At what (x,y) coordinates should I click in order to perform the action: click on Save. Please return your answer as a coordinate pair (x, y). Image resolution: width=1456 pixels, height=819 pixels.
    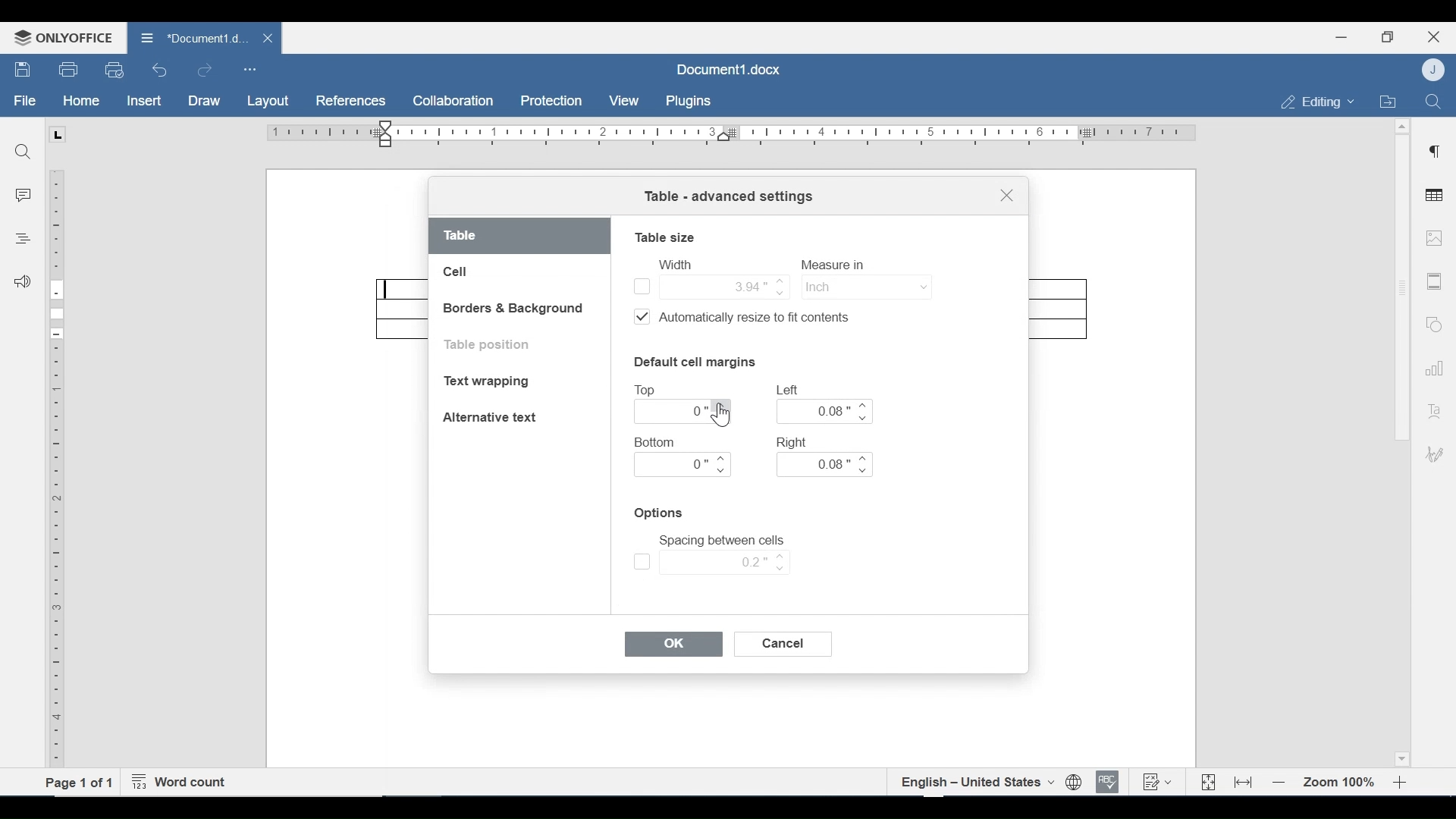
    Looking at the image, I should click on (24, 70).